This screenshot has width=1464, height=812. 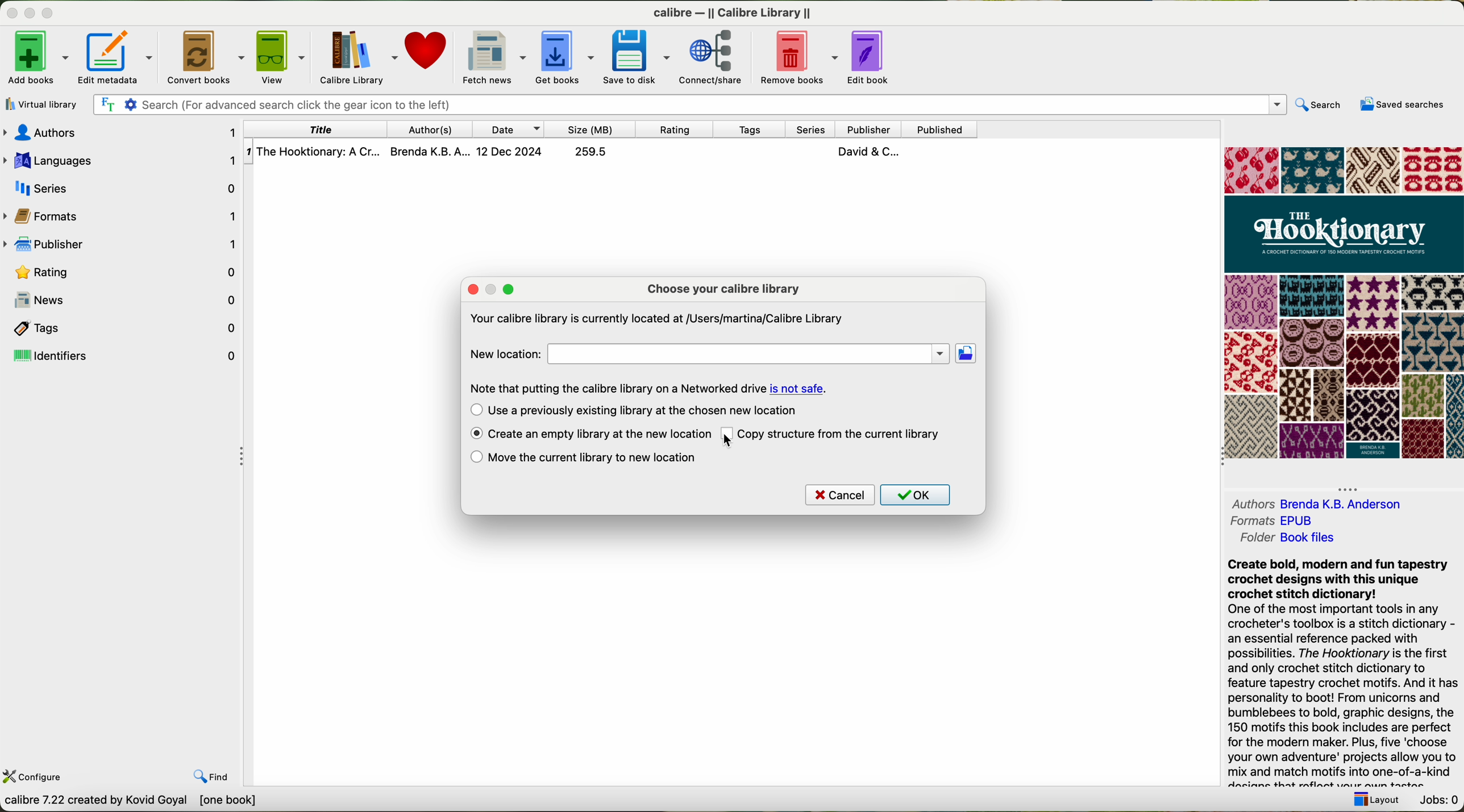 What do you see at coordinates (11, 13) in the screenshot?
I see `close program` at bounding box center [11, 13].